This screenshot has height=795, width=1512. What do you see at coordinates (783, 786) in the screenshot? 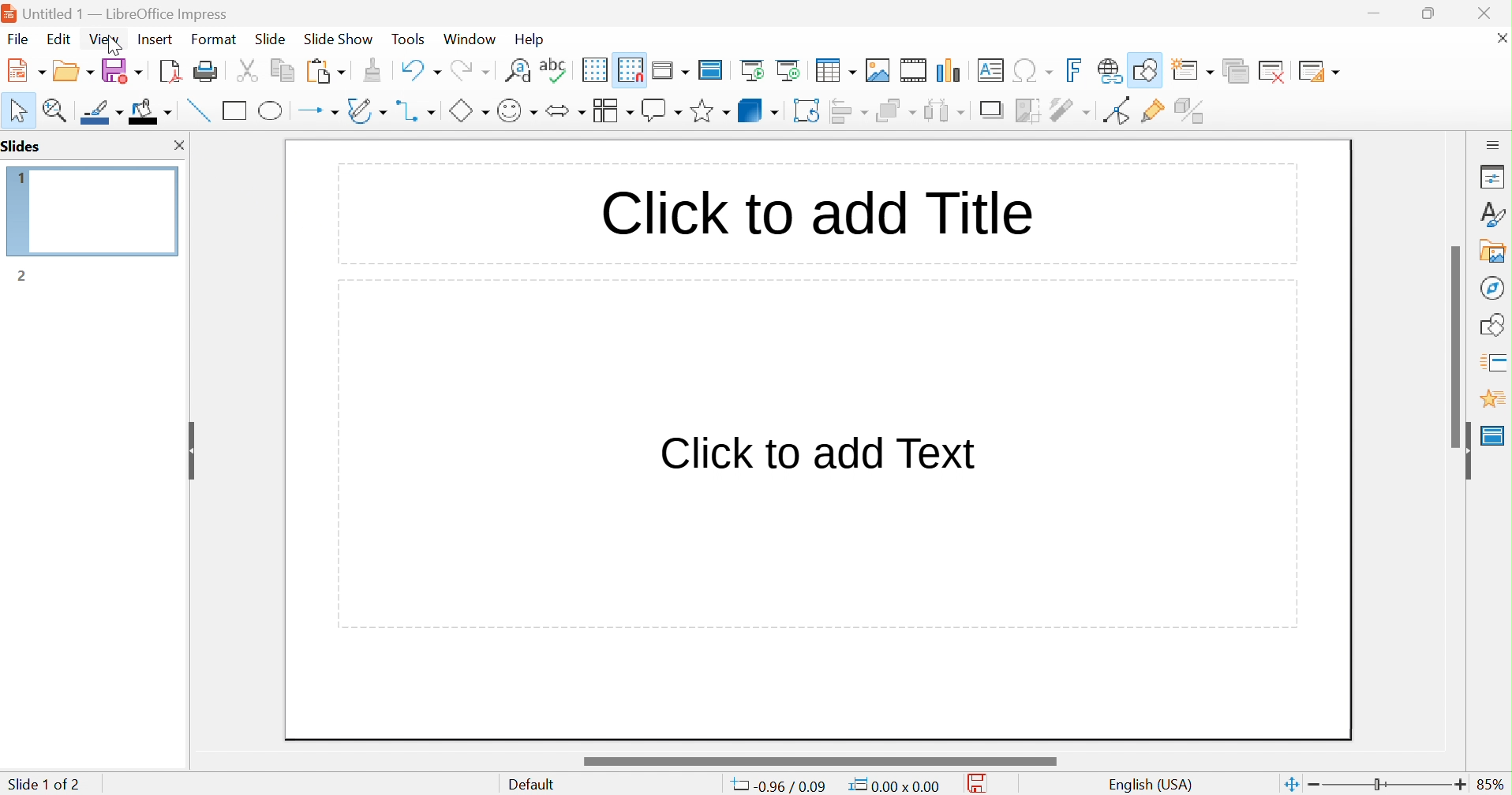
I see `-0.96/0.09` at bounding box center [783, 786].